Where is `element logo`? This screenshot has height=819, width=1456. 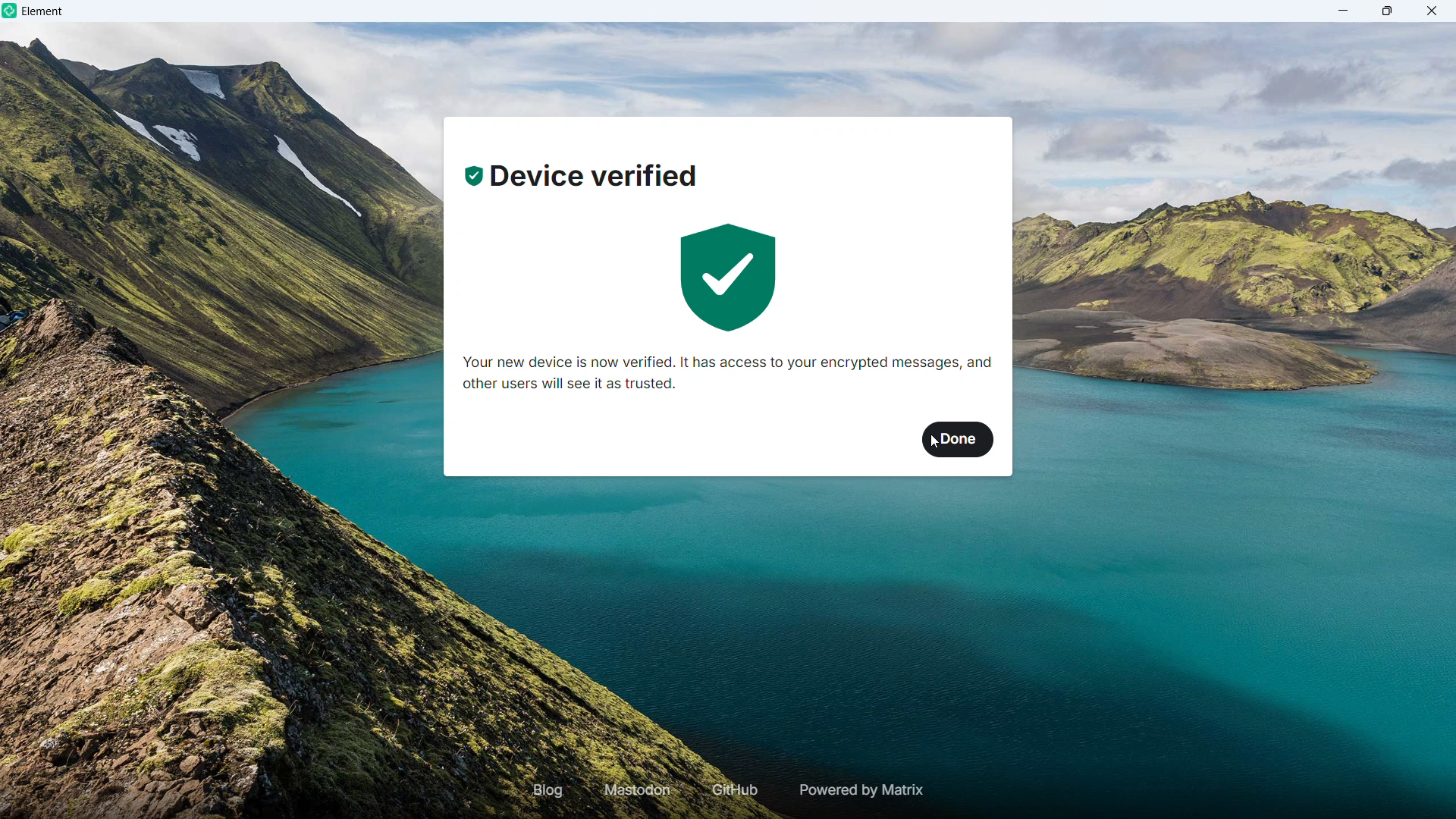
element logo is located at coordinates (11, 11).